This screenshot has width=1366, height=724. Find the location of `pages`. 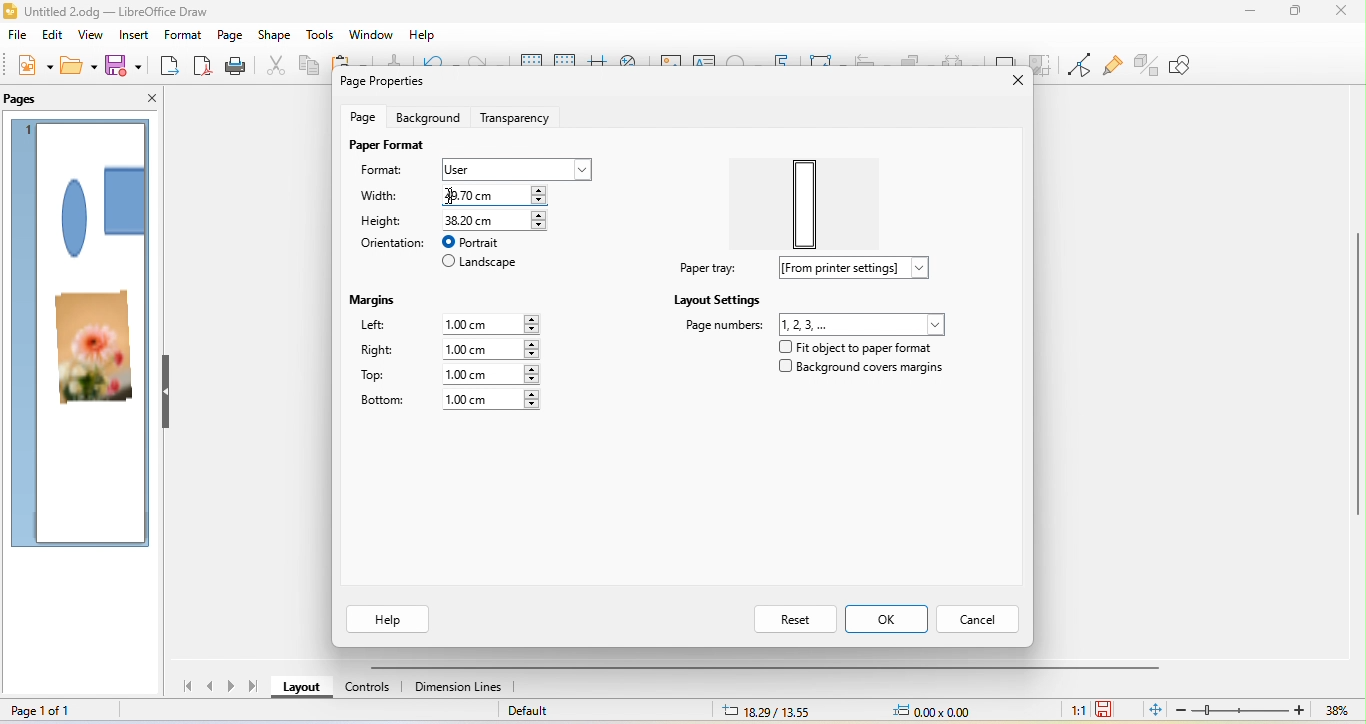

pages is located at coordinates (35, 97).